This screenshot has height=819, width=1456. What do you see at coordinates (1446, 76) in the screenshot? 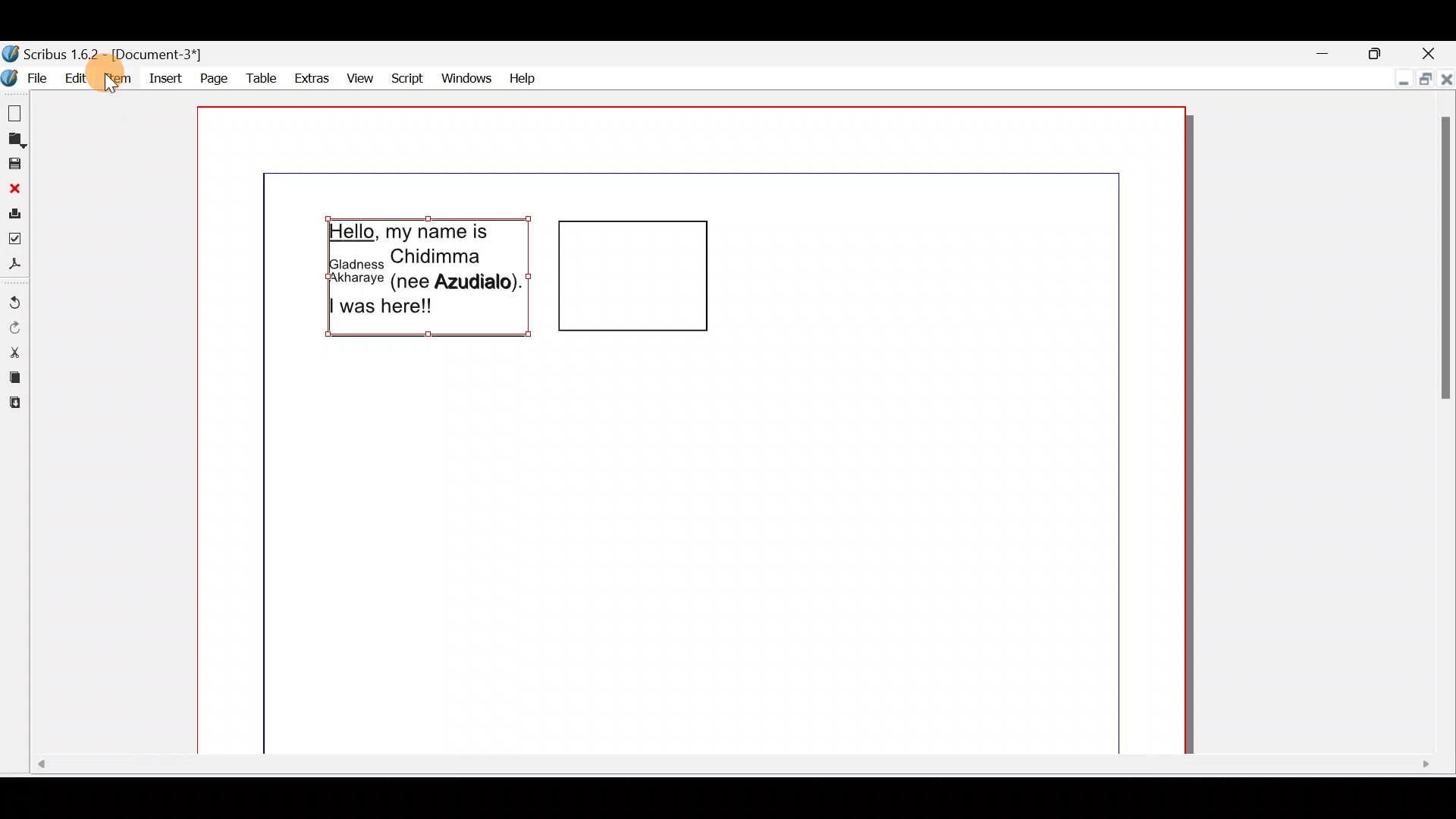
I see `Close` at bounding box center [1446, 76].